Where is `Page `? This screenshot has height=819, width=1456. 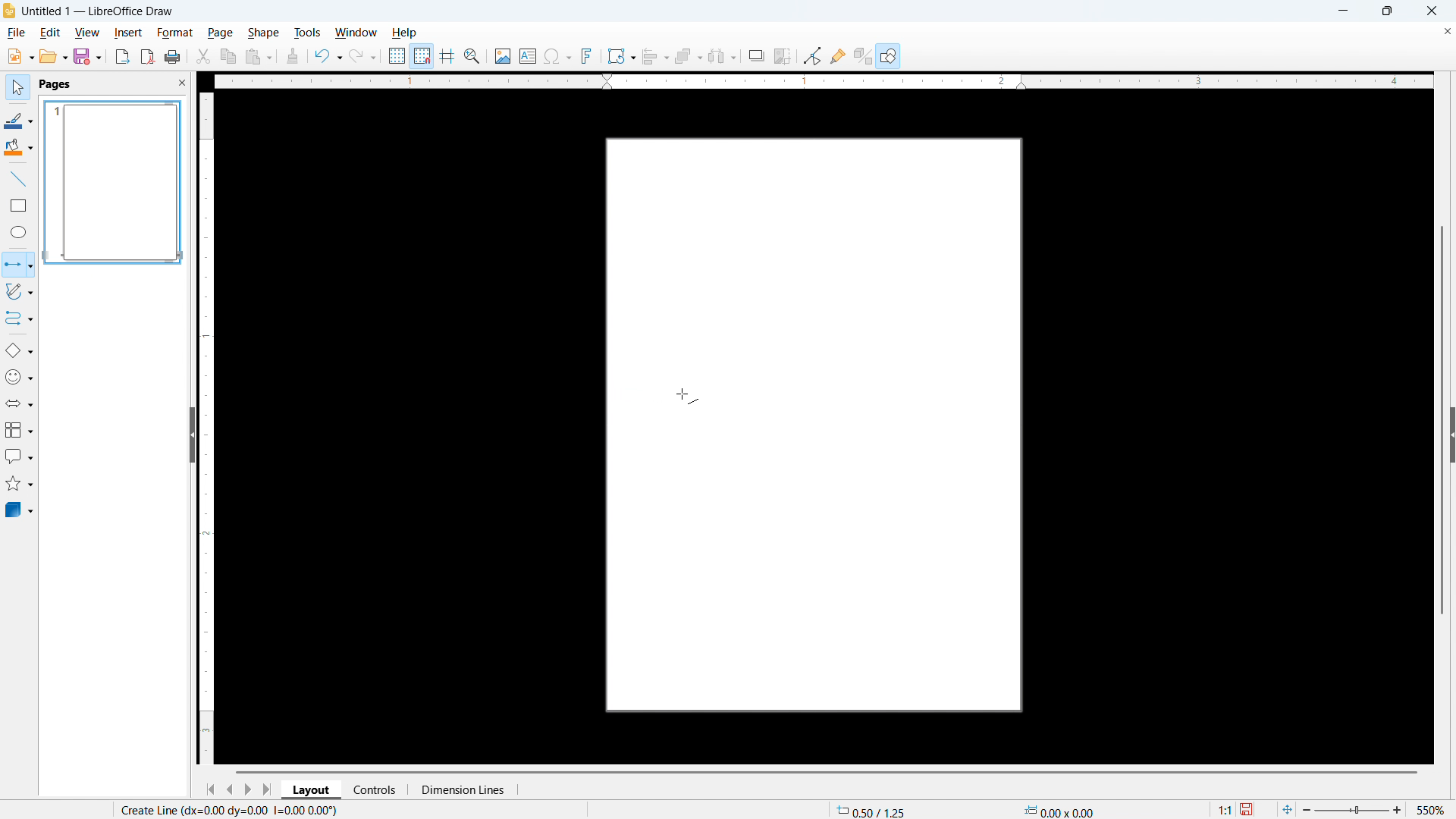 Page  is located at coordinates (817, 421).